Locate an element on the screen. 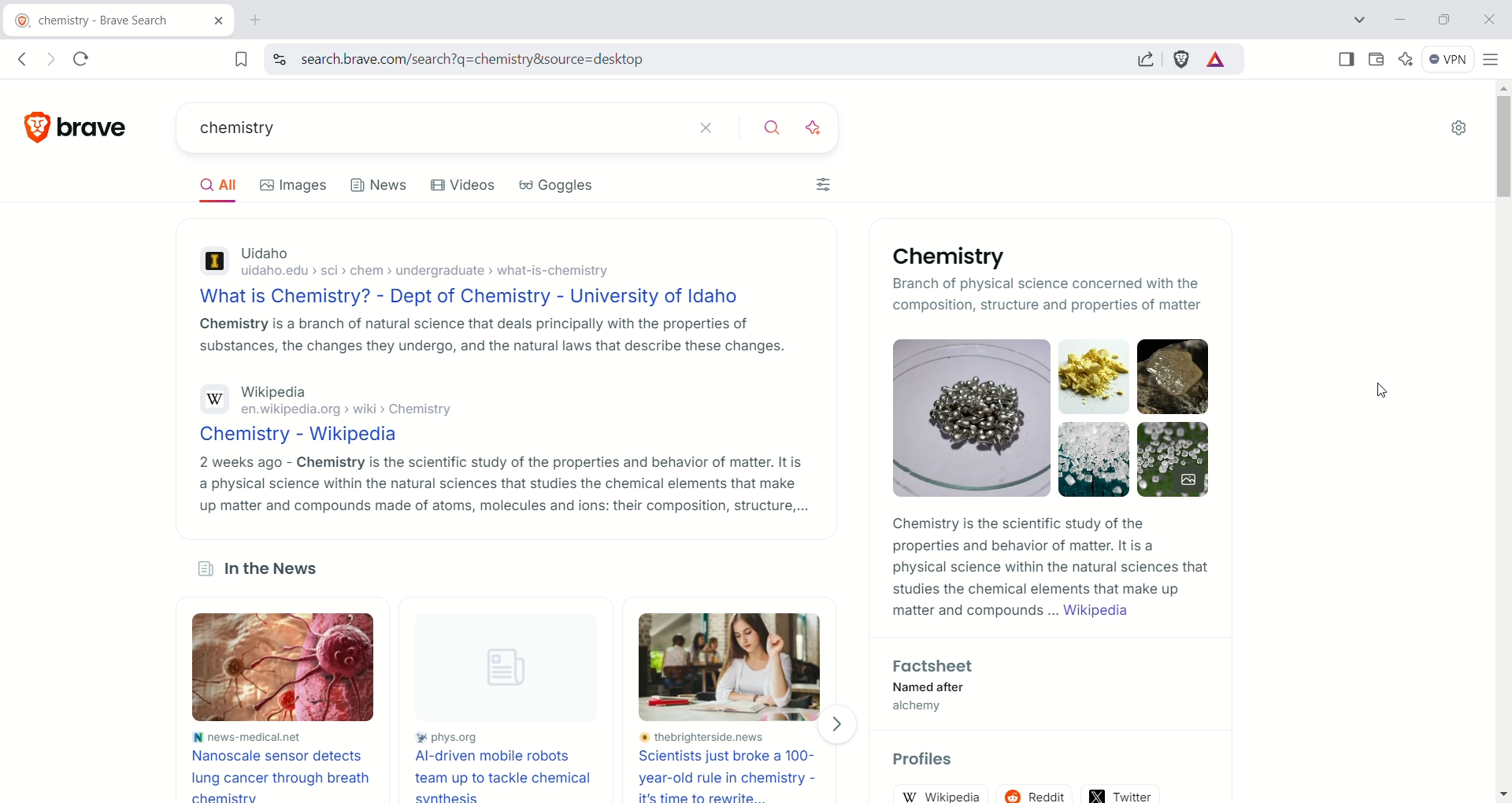  clear is located at coordinates (707, 126).